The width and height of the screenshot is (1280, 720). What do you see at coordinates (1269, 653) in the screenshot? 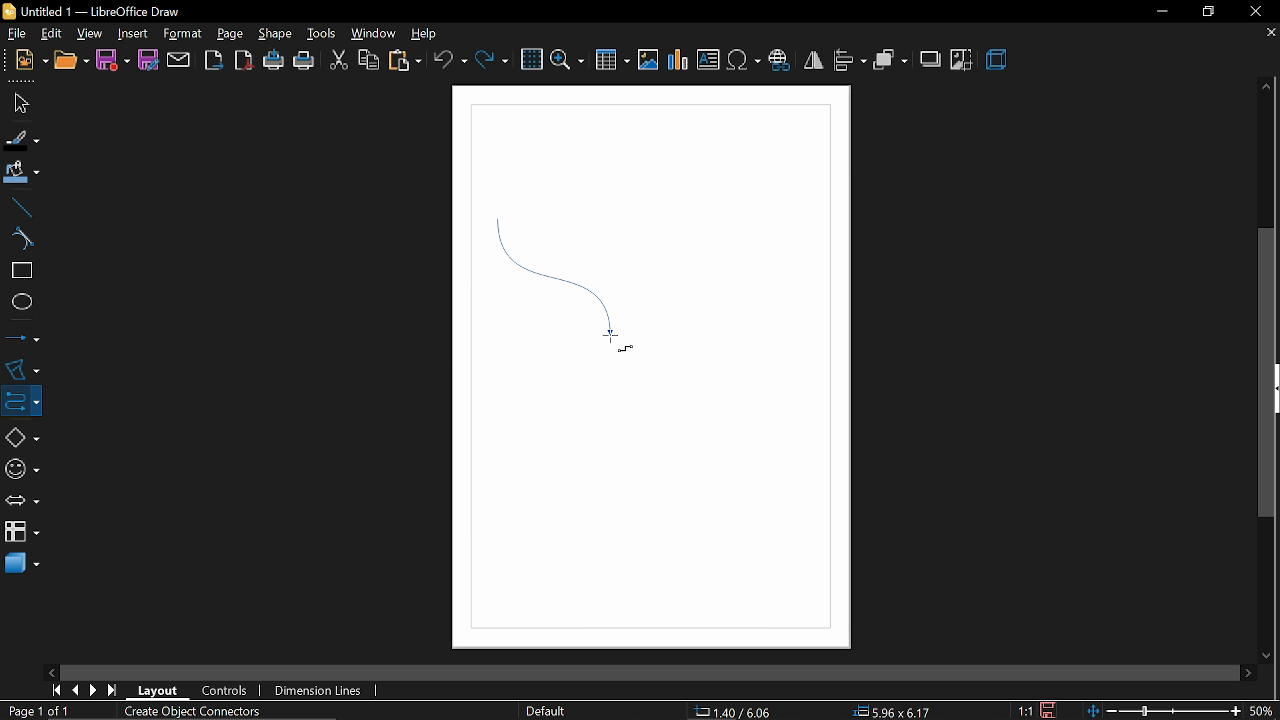
I see `move down` at bounding box center [1269, 653].